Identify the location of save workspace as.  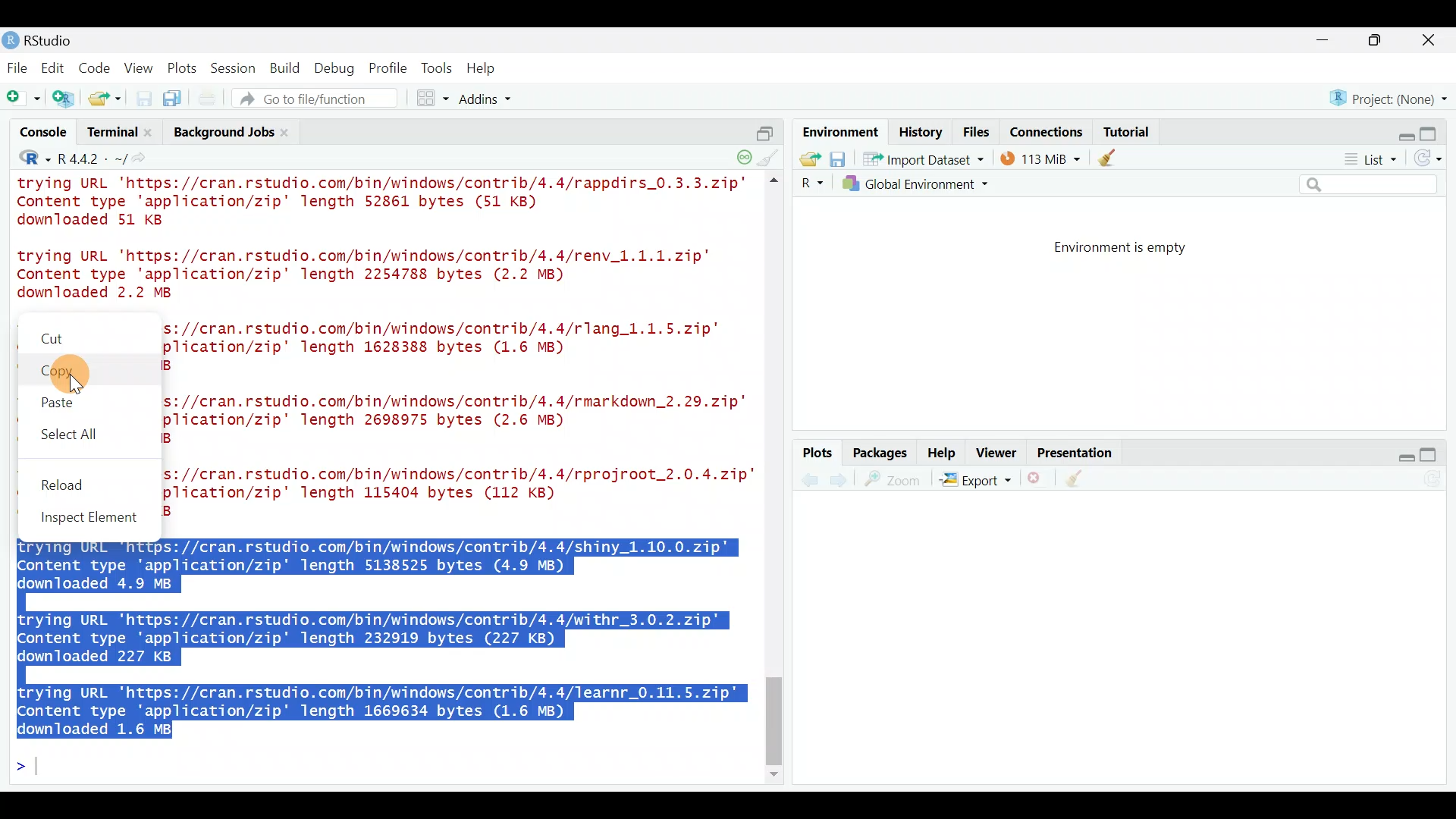
(838, 159).